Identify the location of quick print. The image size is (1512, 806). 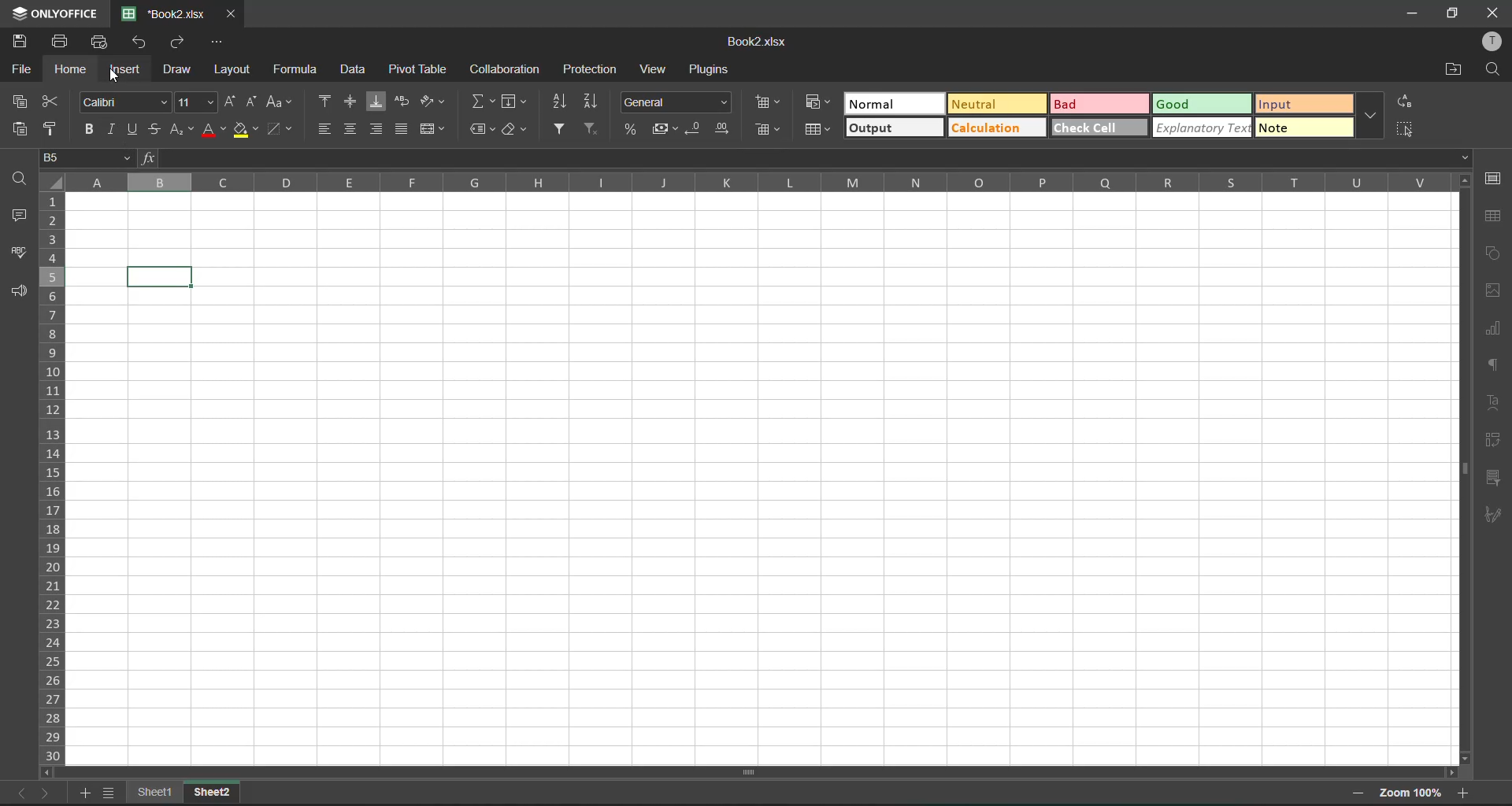
(102, 40).